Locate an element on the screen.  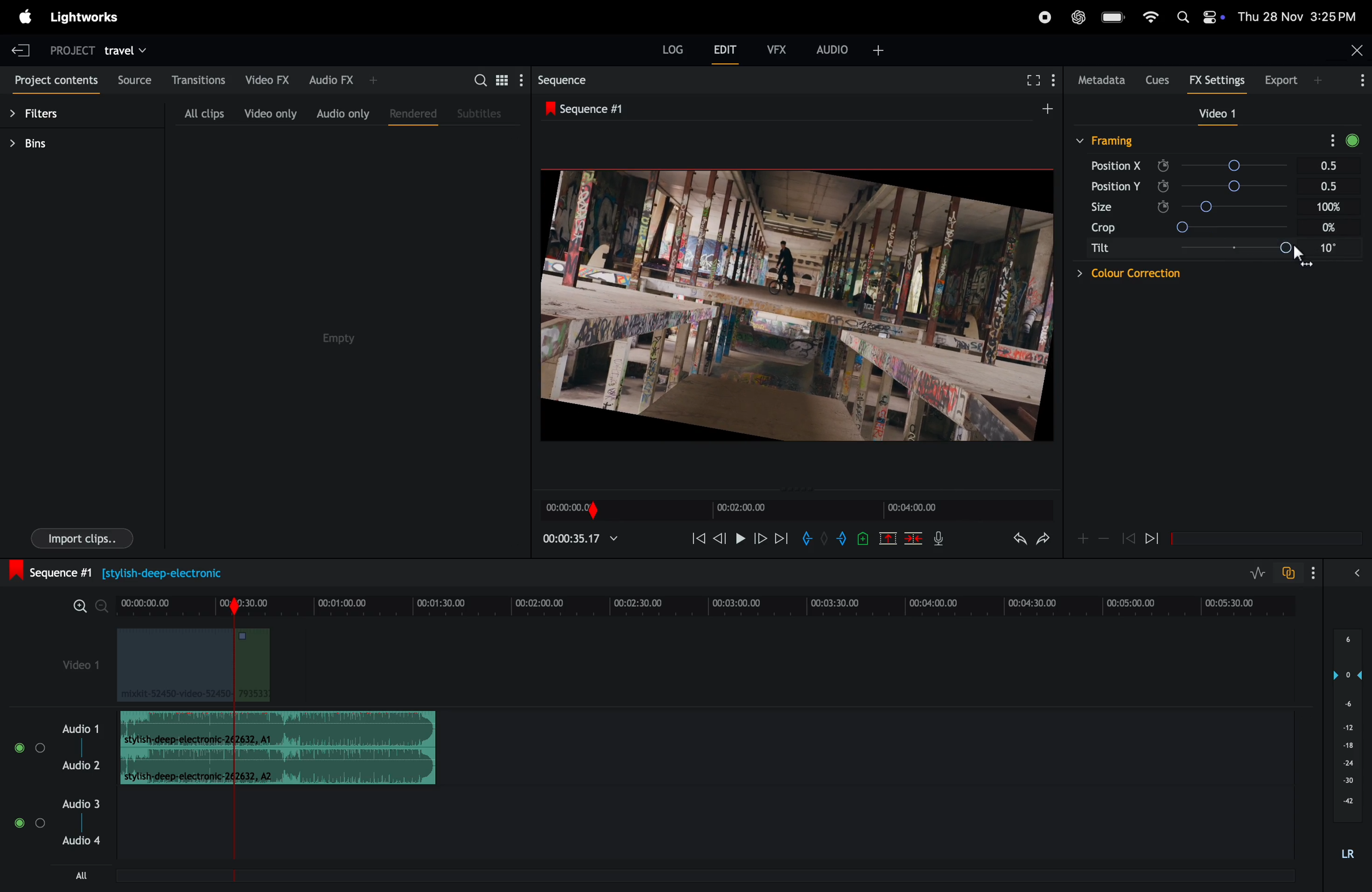
dropdown: Color correction  is located at coordinates (1126, 277).